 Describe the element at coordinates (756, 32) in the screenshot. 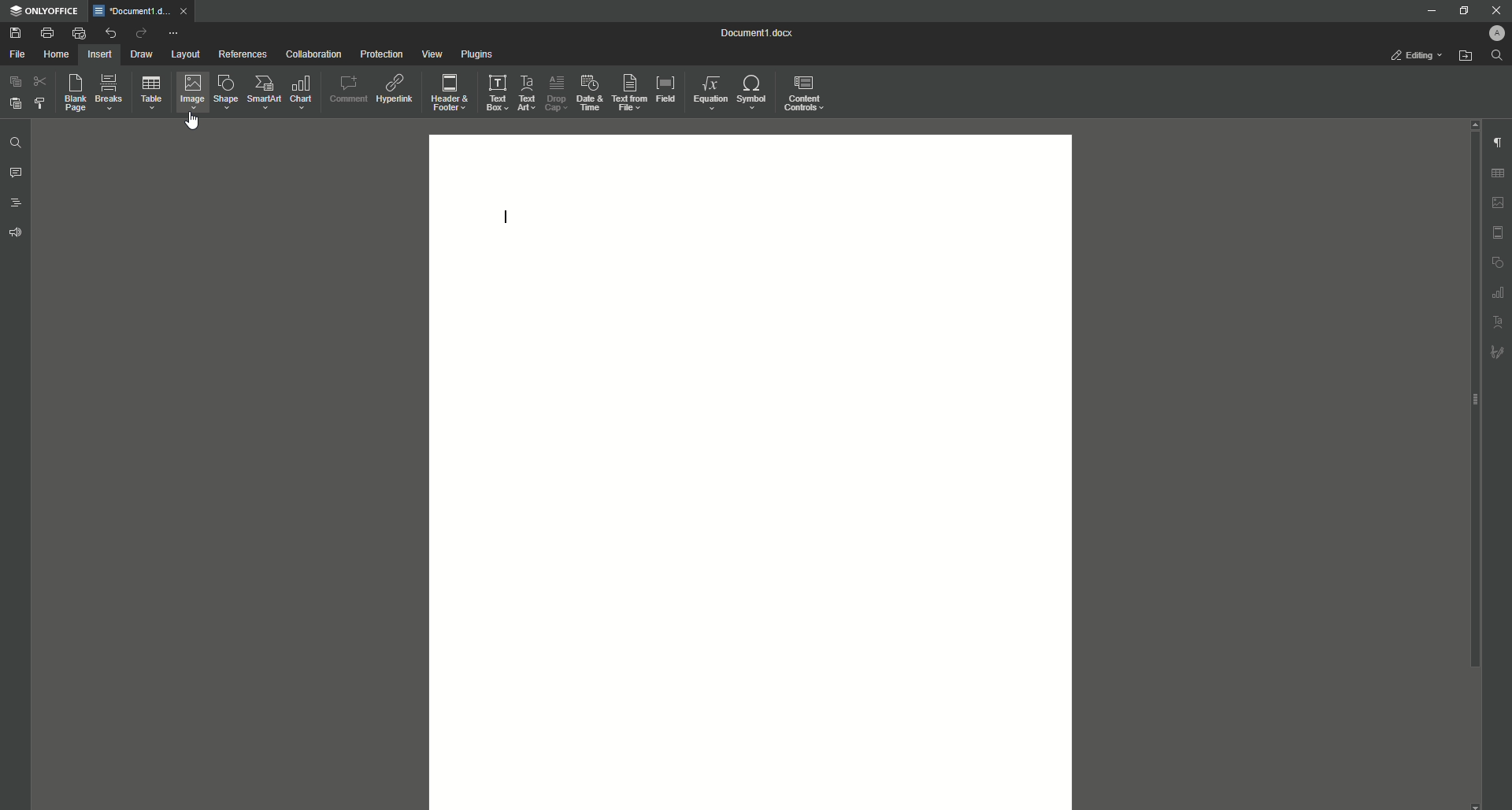

I see `Document 1` at that location.